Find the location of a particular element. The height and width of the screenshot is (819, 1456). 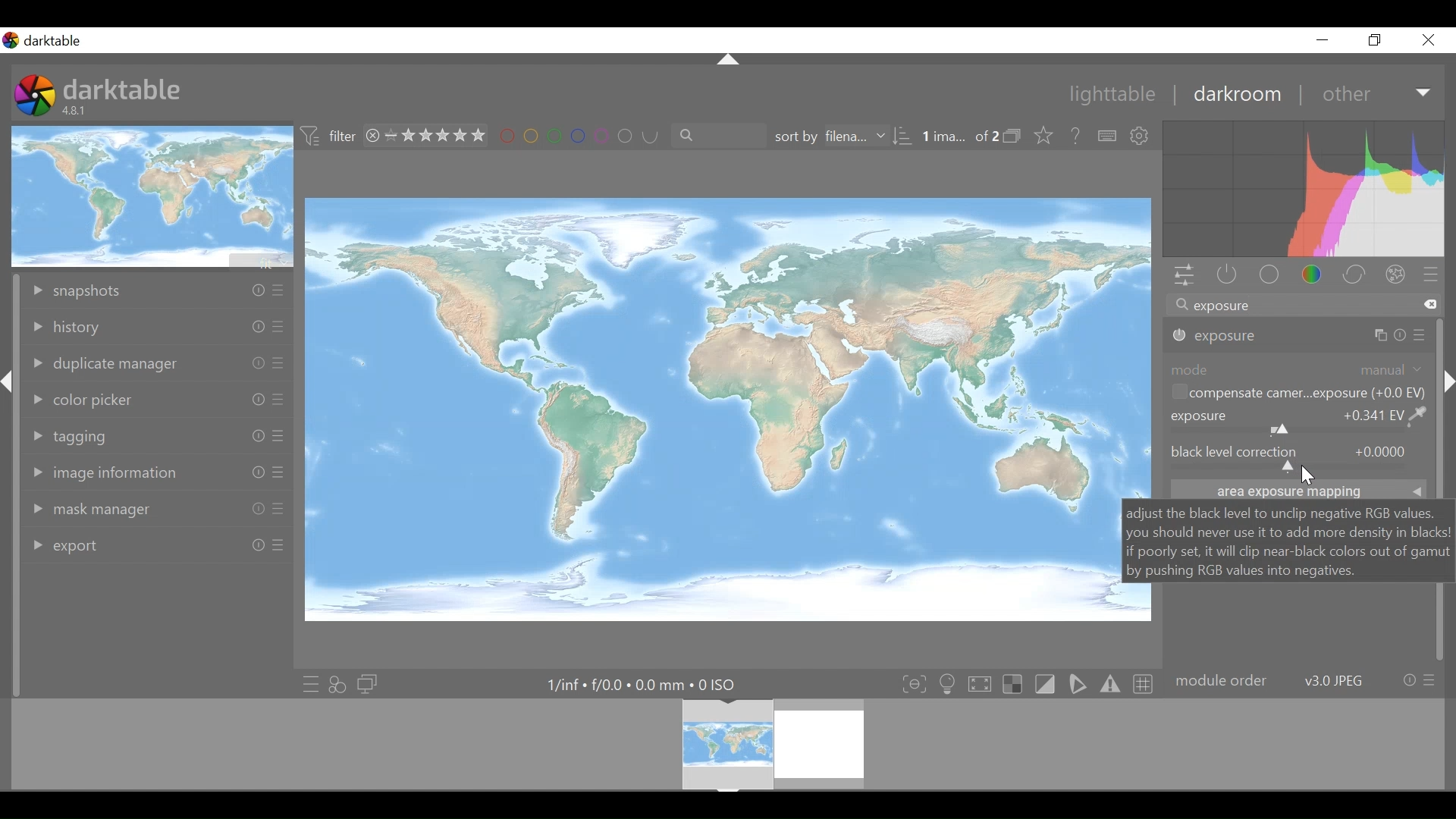

base is located at coordinates (1267, 275).